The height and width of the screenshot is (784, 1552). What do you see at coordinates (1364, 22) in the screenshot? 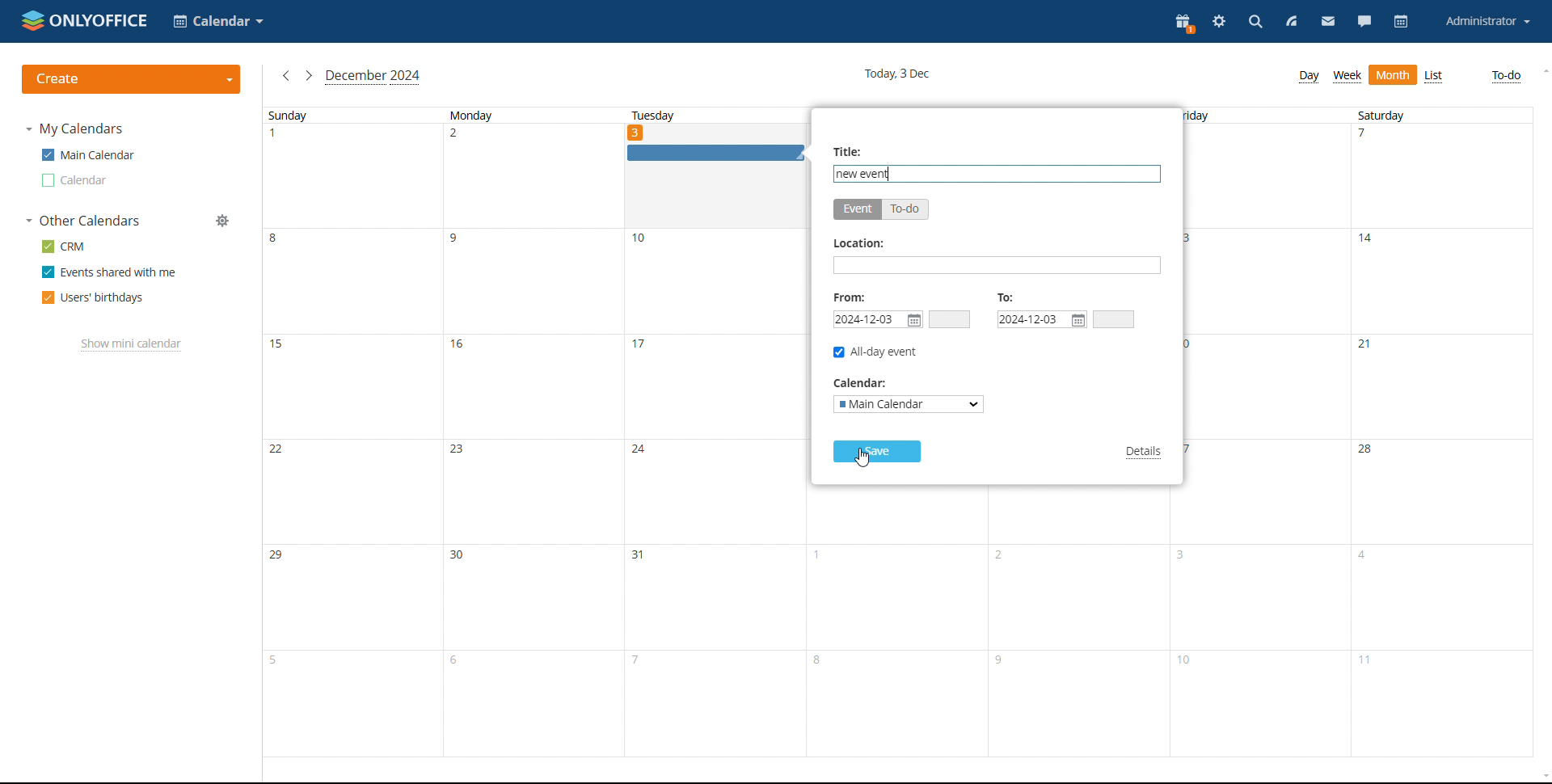
I see `chat` at bounding box center [1364, 22].